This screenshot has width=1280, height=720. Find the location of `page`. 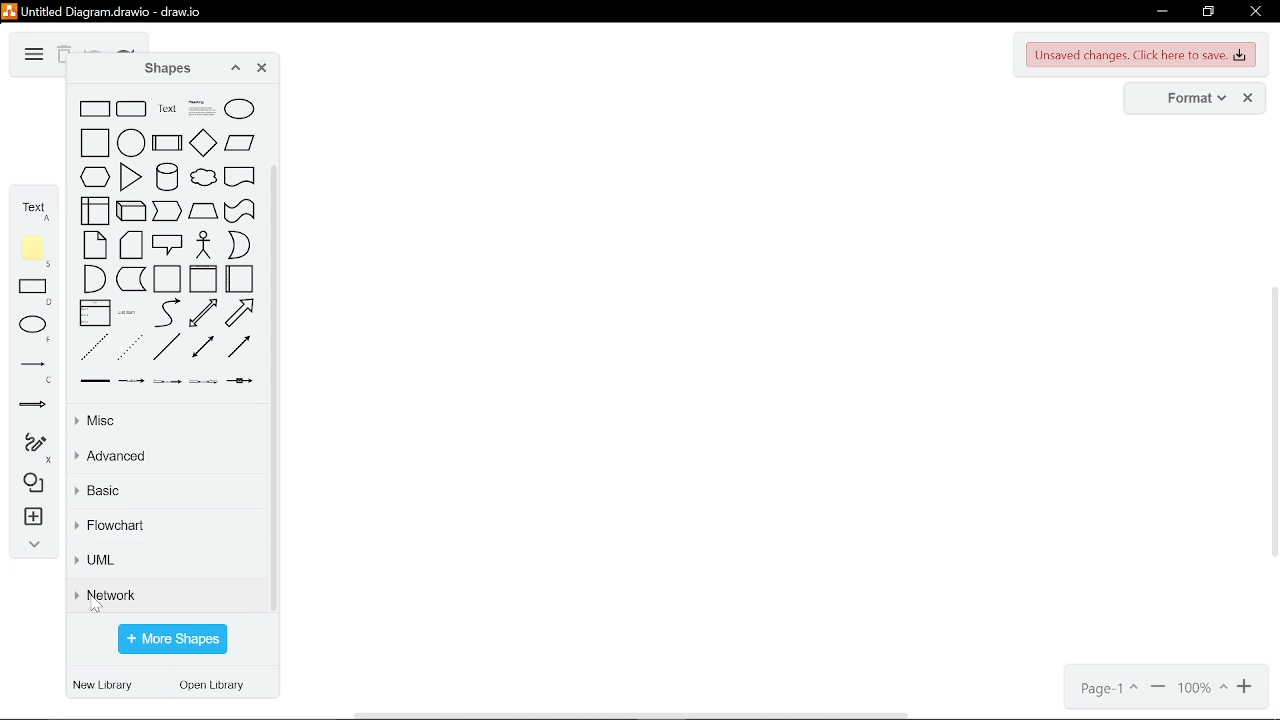

page is located at coordinates (1107, 689).